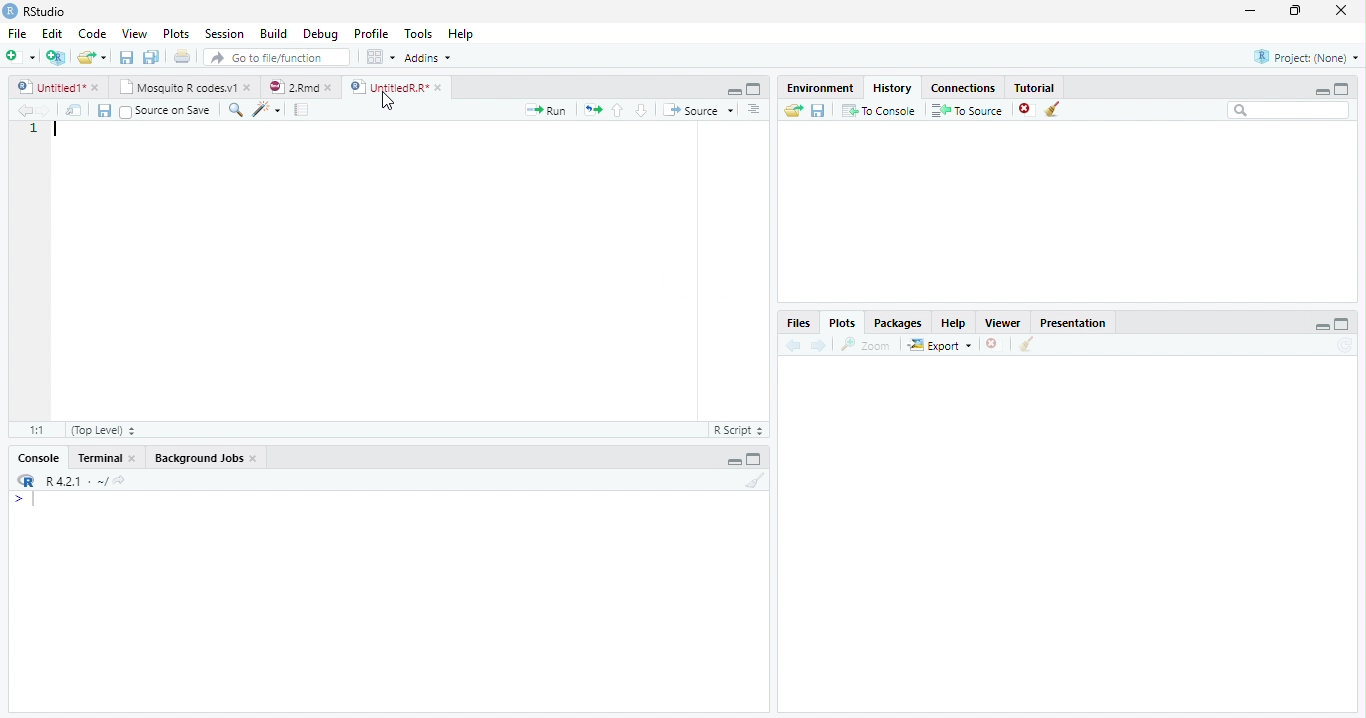 The image size is (1366, 718). What do you see at coordinates (963, 88) in the screenshot?
I see `Connections` at bounding box center [963, 88].